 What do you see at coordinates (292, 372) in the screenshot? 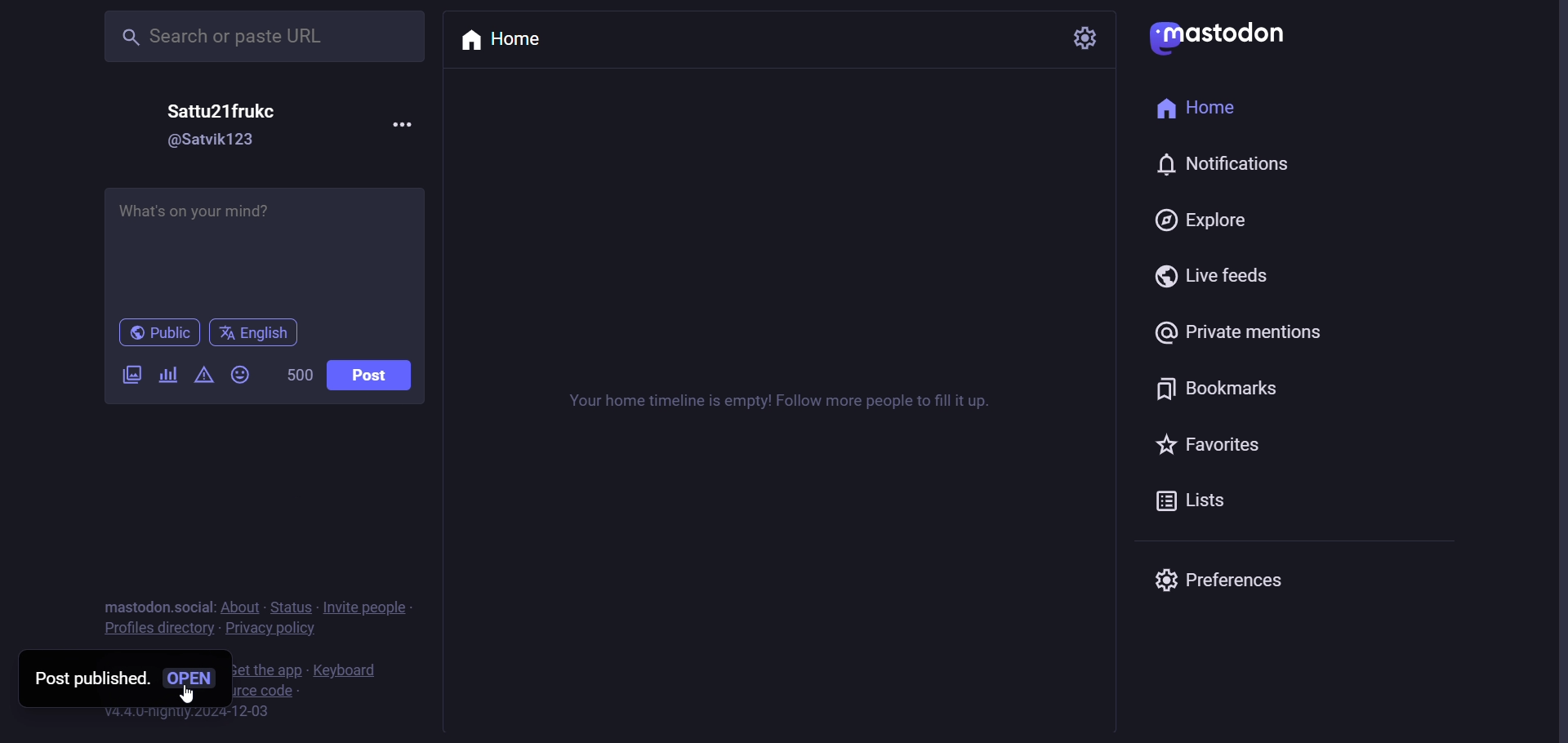
I see `500` at bounding box center [292, 372].